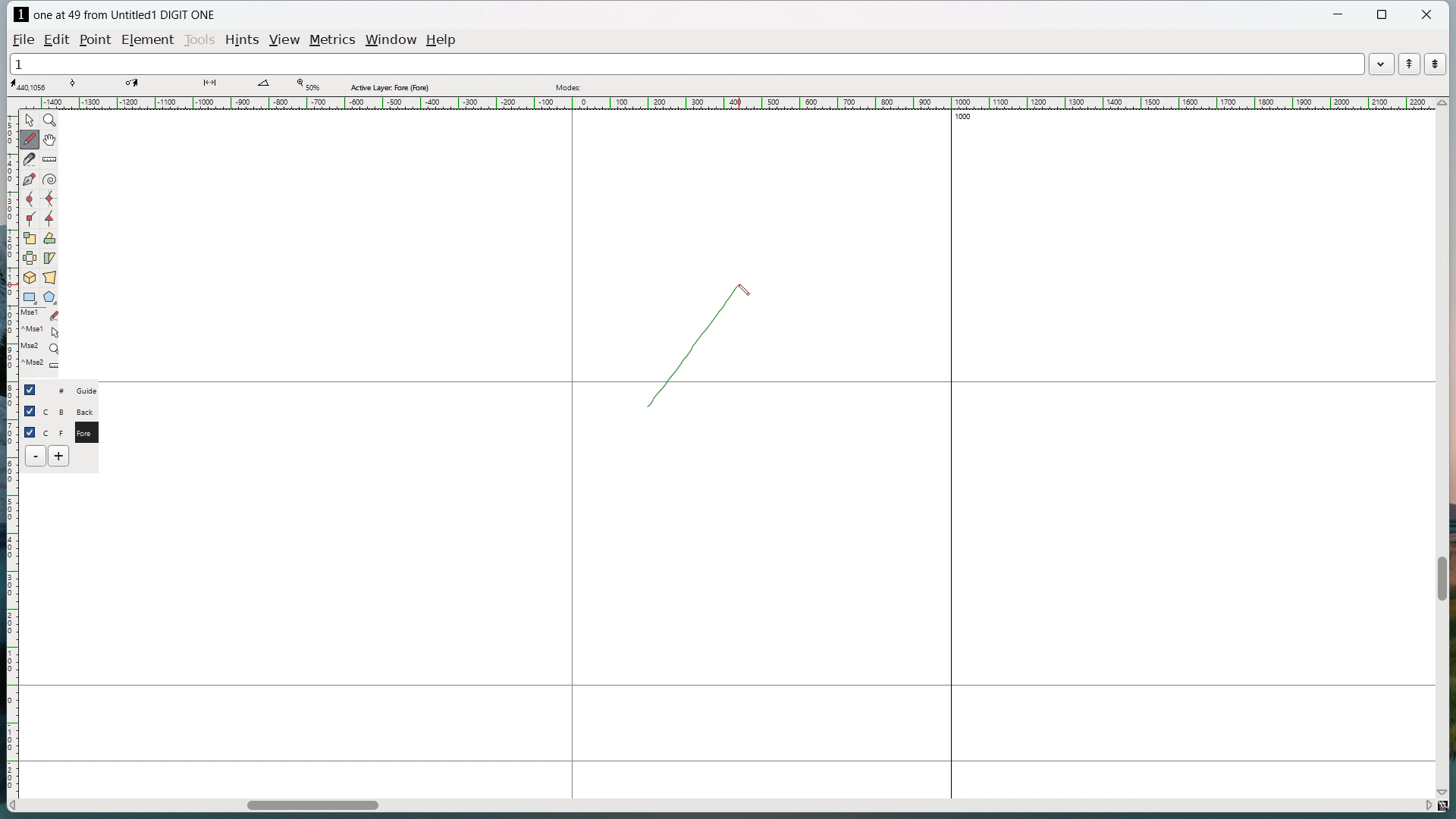  What do you see at coordinates (391, 86) in the screenshot?
I see `Active layer fore` at bounding box center [391, 86].